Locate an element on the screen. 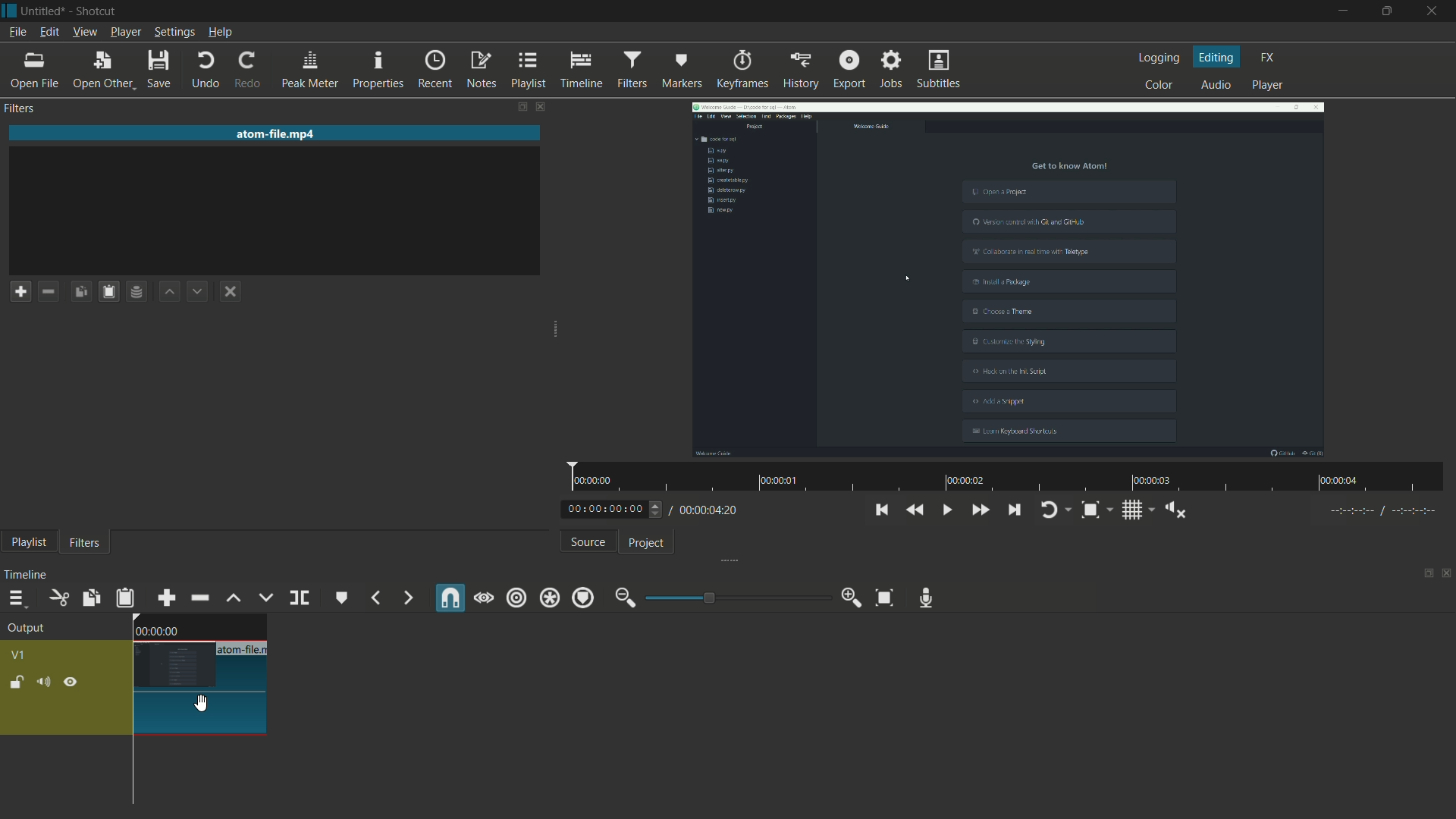 Image resolution: width=1456 pixels, height=819 pixels. redo is located at coordinates (245, 71).